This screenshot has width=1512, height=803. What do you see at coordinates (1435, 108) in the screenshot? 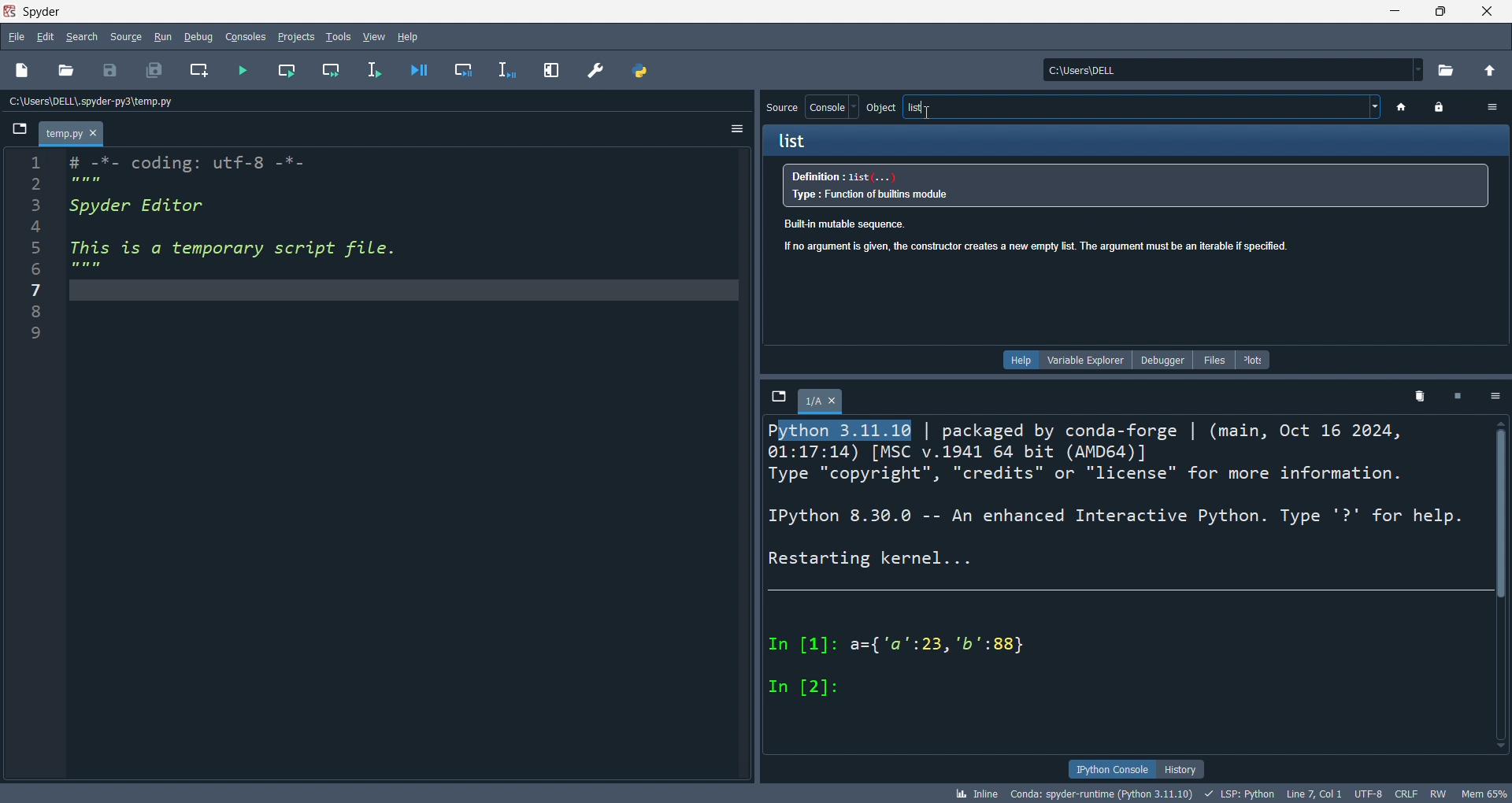
I see `lock` at bounding box center [1435, 108].